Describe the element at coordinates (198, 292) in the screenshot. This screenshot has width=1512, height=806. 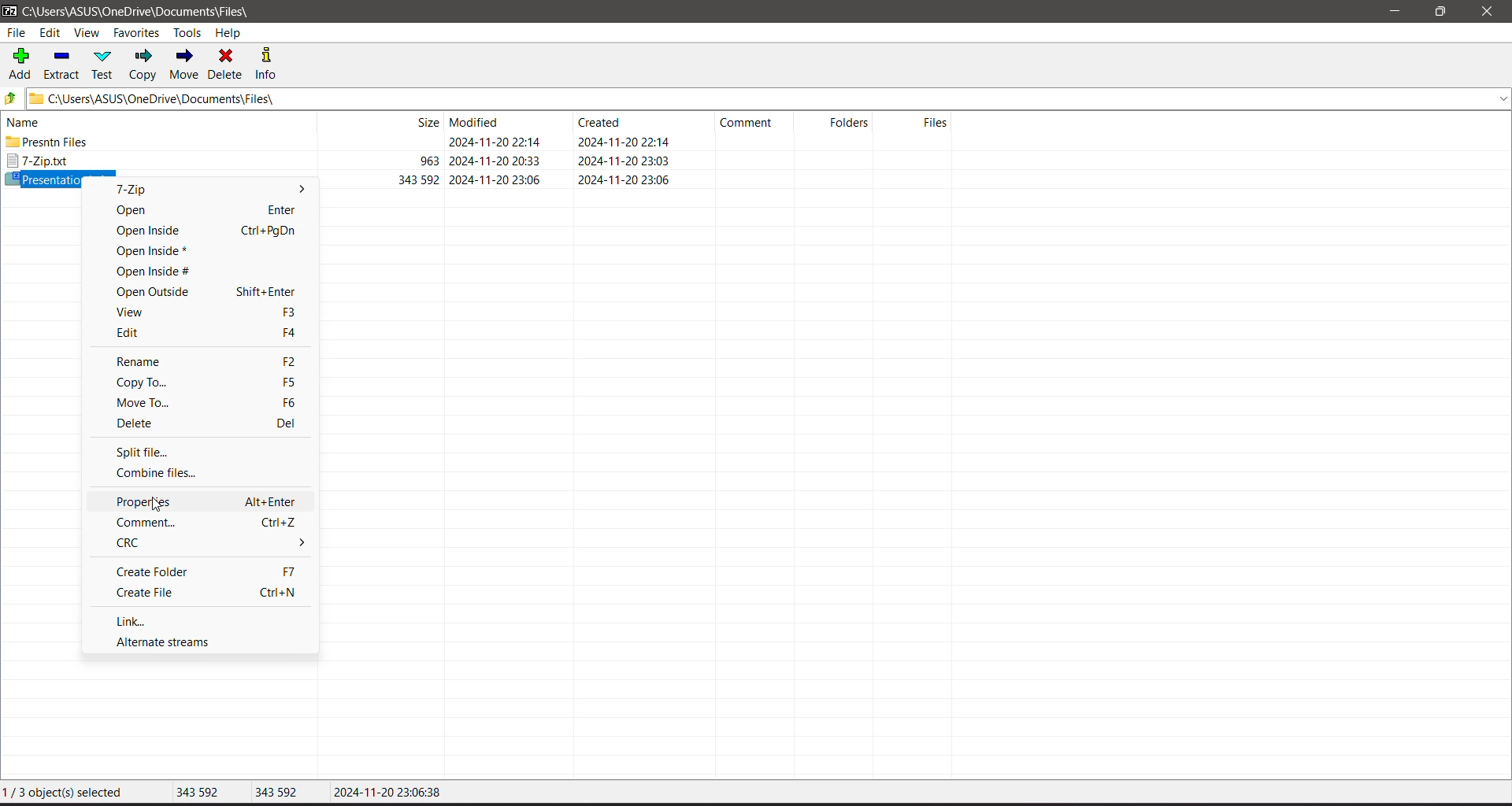
I see `Open Outside` at that location.